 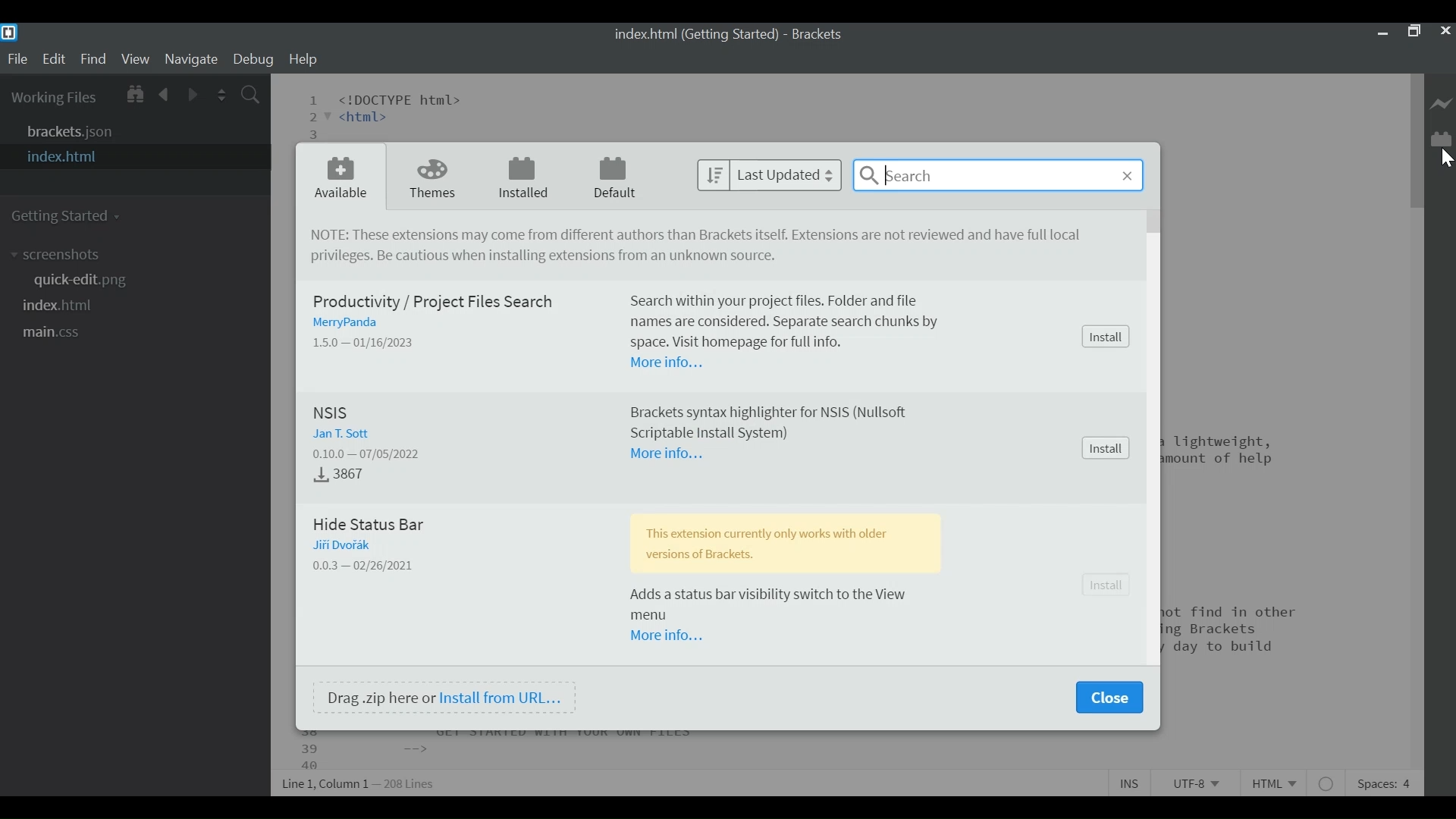 What do you see at coordinates (1414, 143) in the screenshot?
I see `Vertical Scroll bar` at bounding box center [1414, 143].